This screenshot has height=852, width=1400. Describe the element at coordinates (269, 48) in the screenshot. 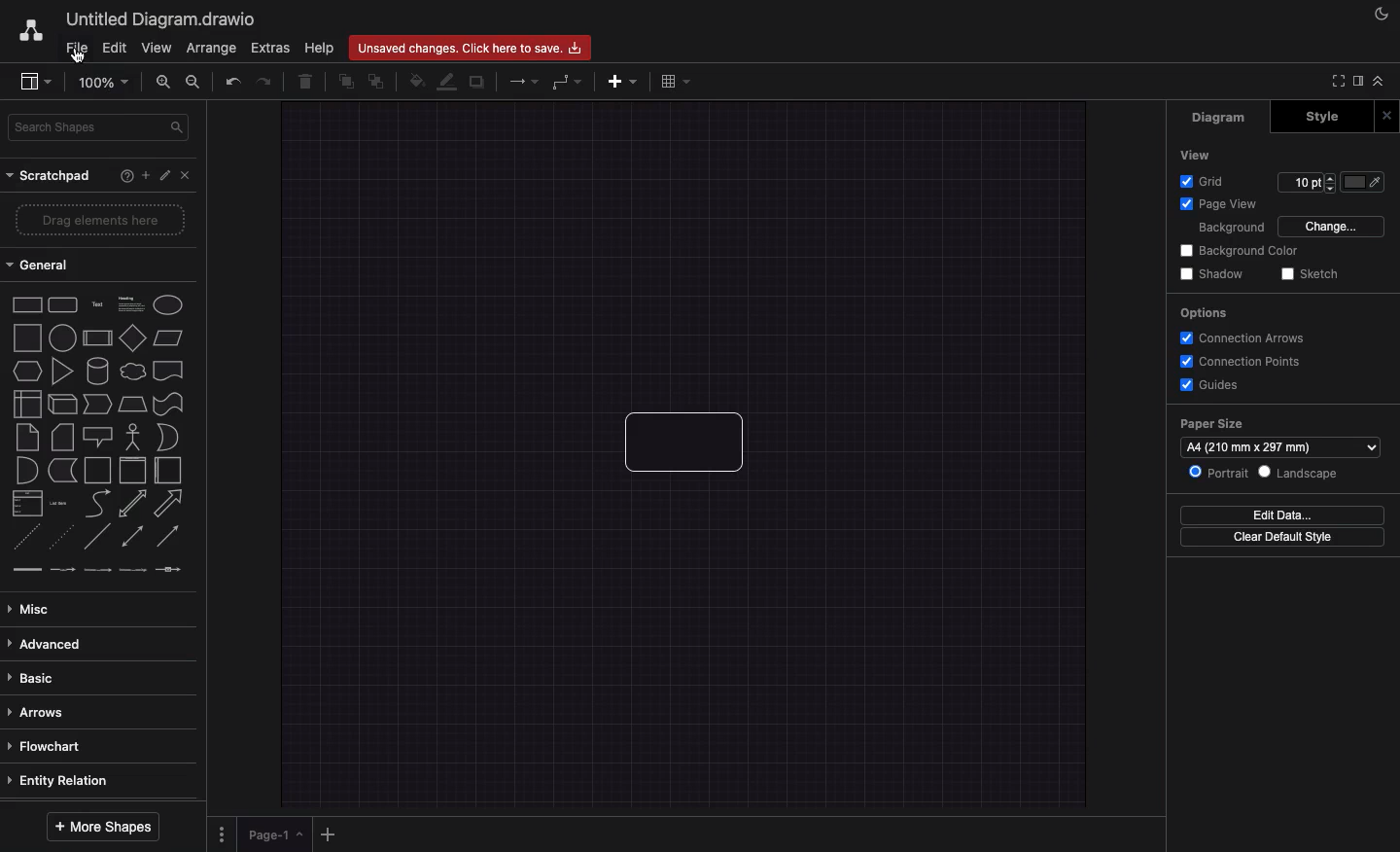

I see `Extras` at that location.